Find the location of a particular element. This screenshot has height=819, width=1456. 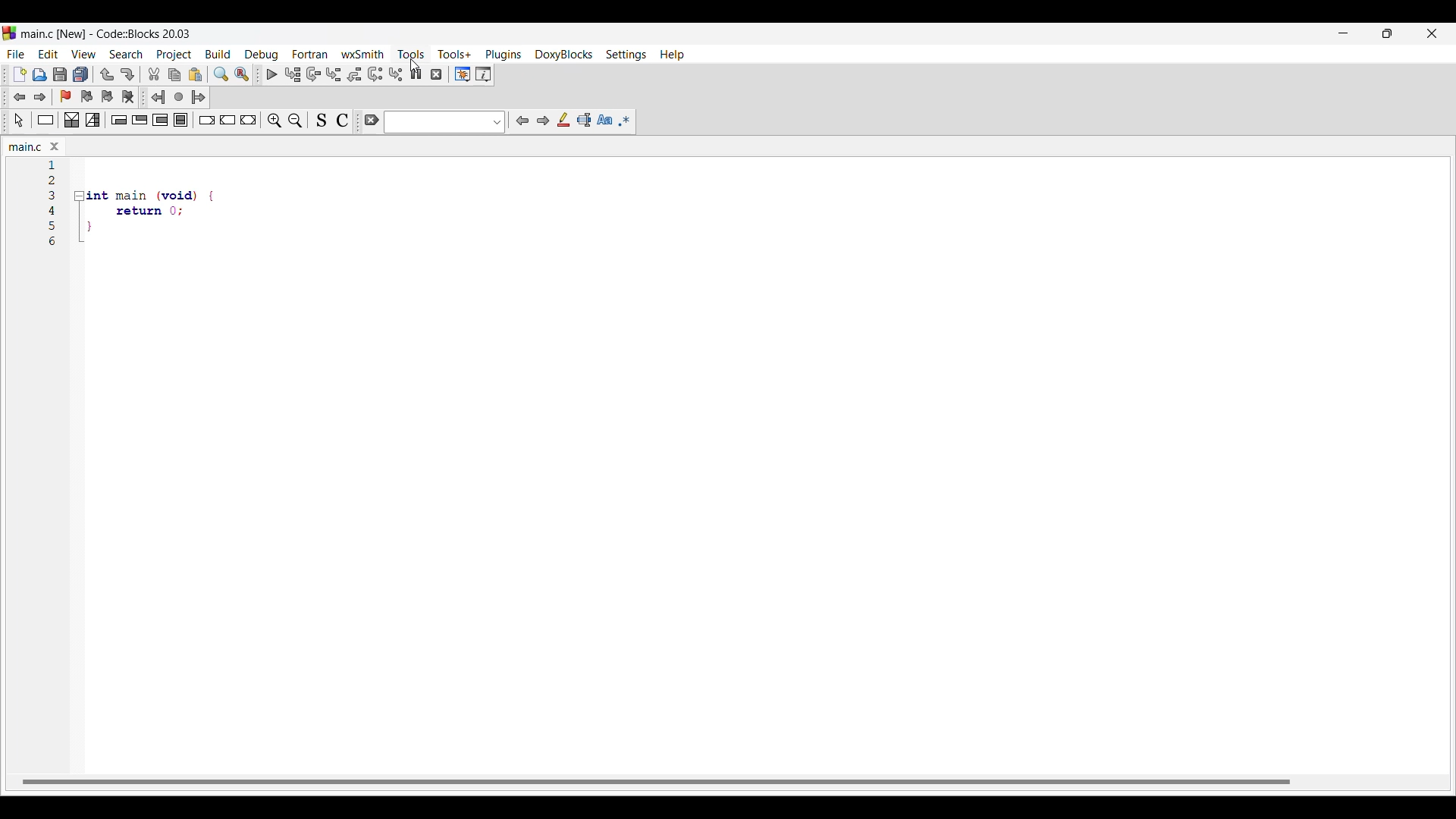

Next line is located at coordinates (314, 74).